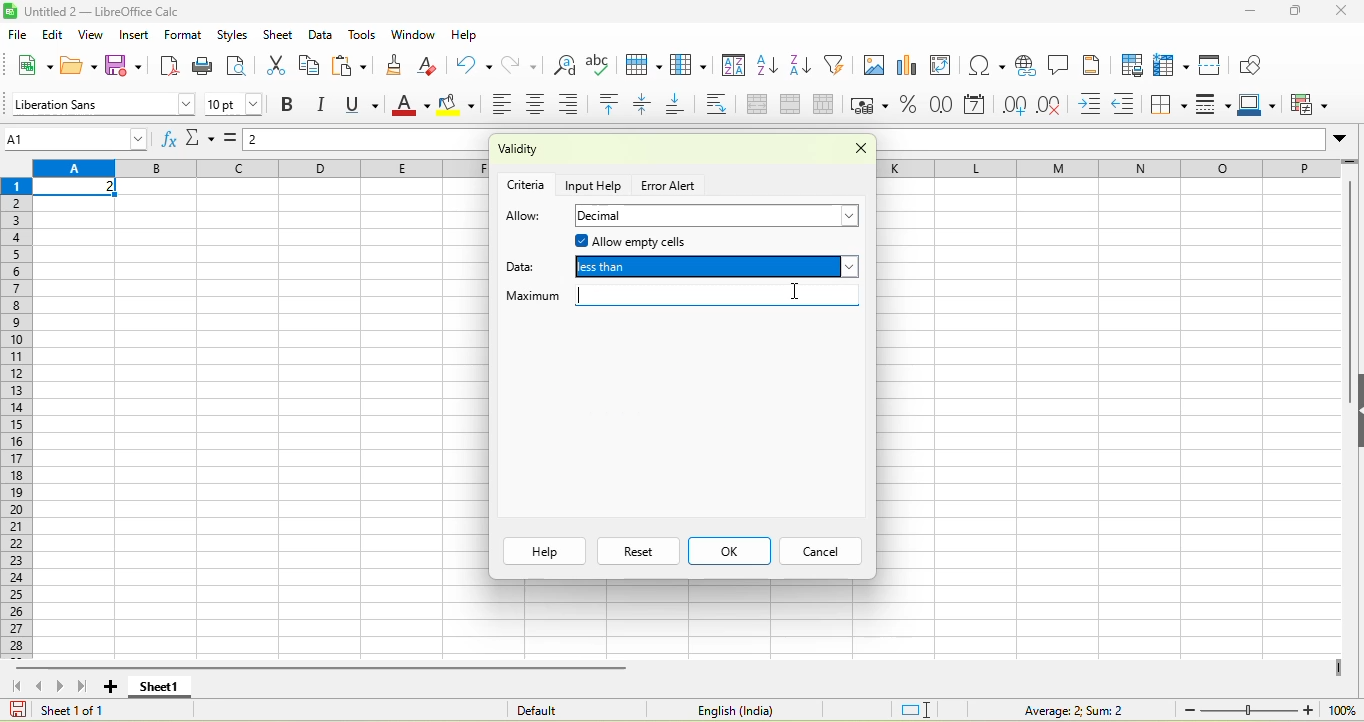 This screenshot has height=722, width=1364. What do you see at coordinates (690, 242) in the screenshot?
I see `allow empty cells` at bounding box center [690, 242].